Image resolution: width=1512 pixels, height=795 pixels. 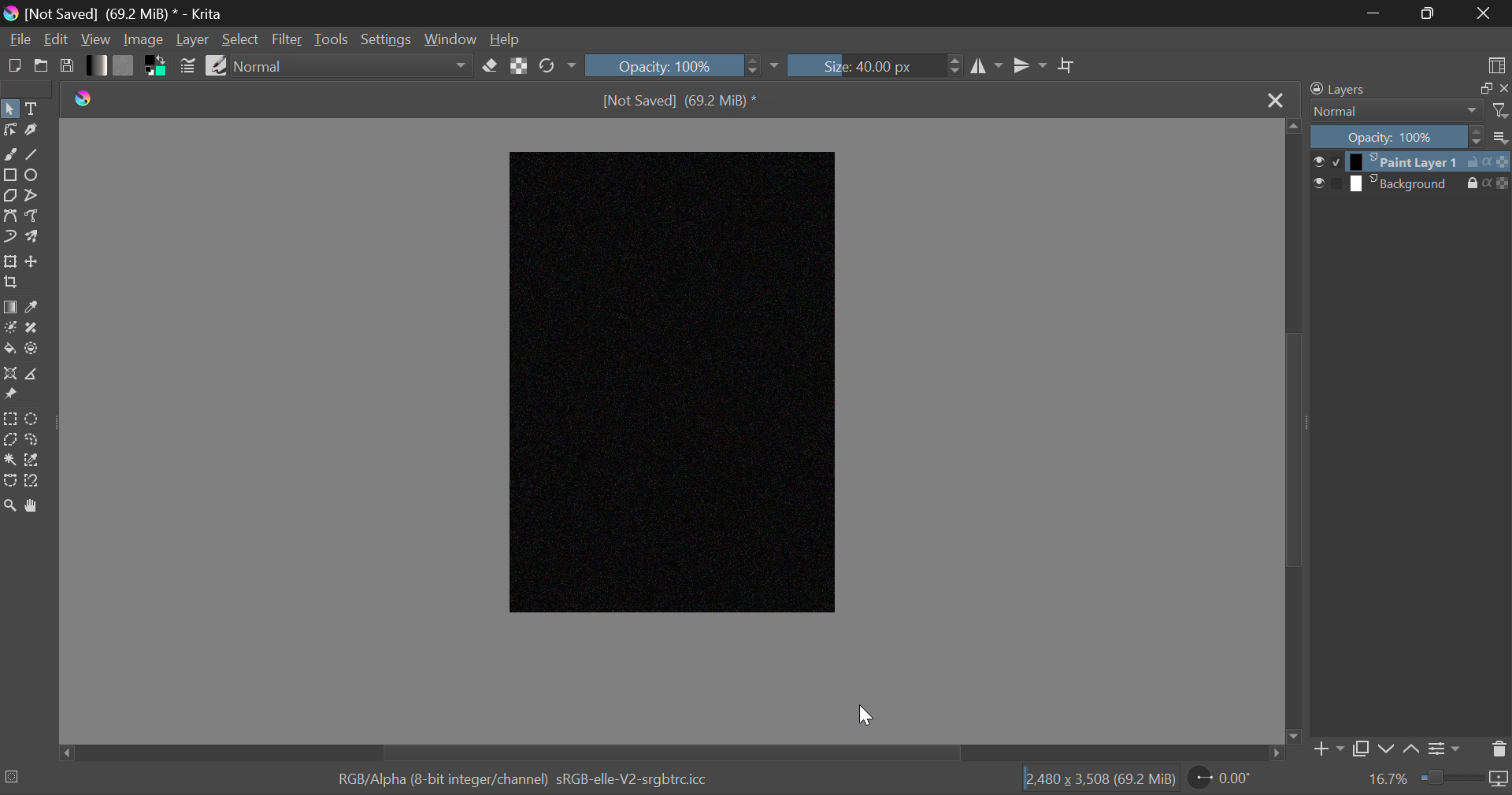 I want to click on Reference Images, so click(x=9, y=397).